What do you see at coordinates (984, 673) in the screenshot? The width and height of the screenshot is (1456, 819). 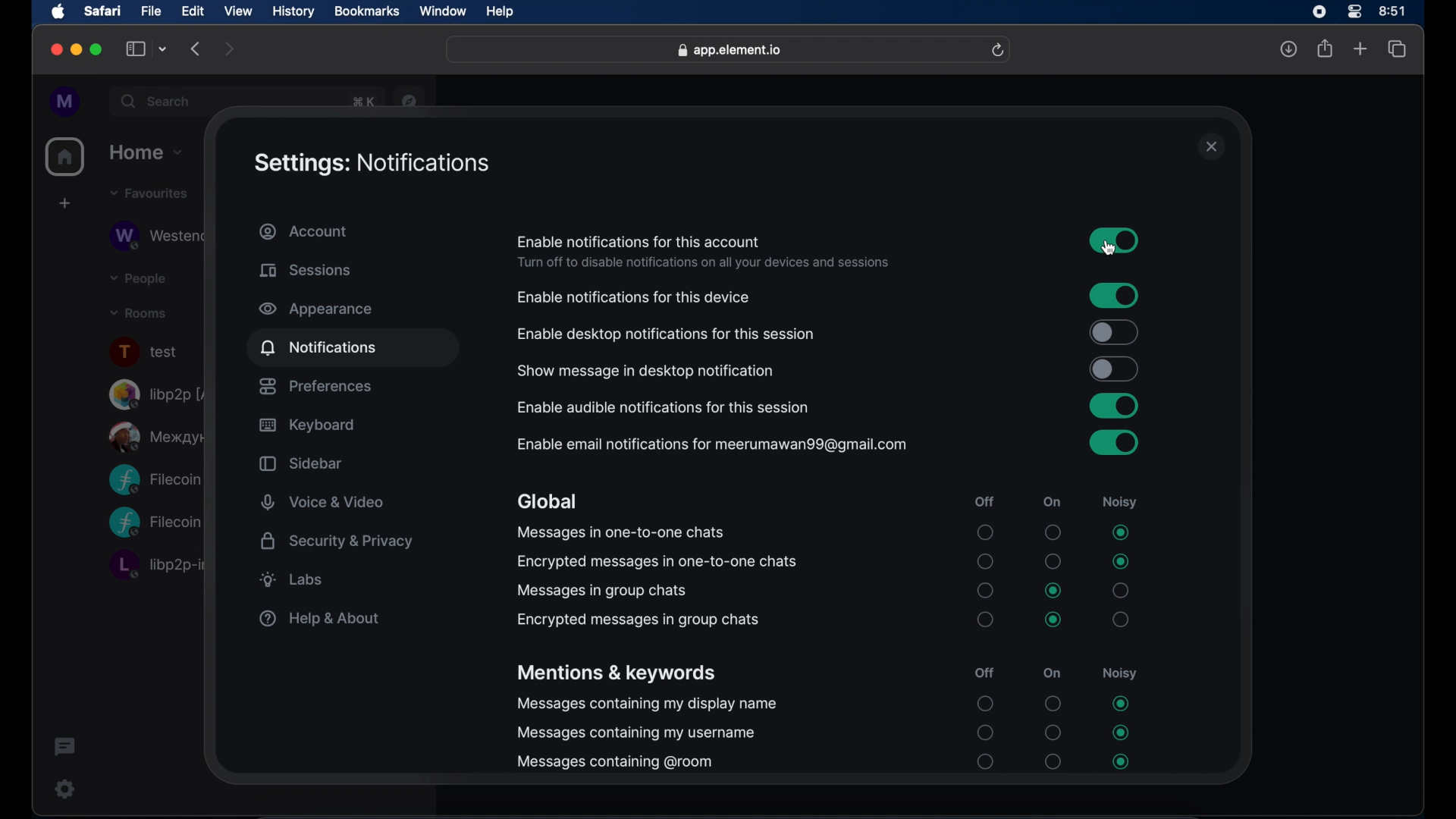 I see `off` at bounding box center [984, 673].